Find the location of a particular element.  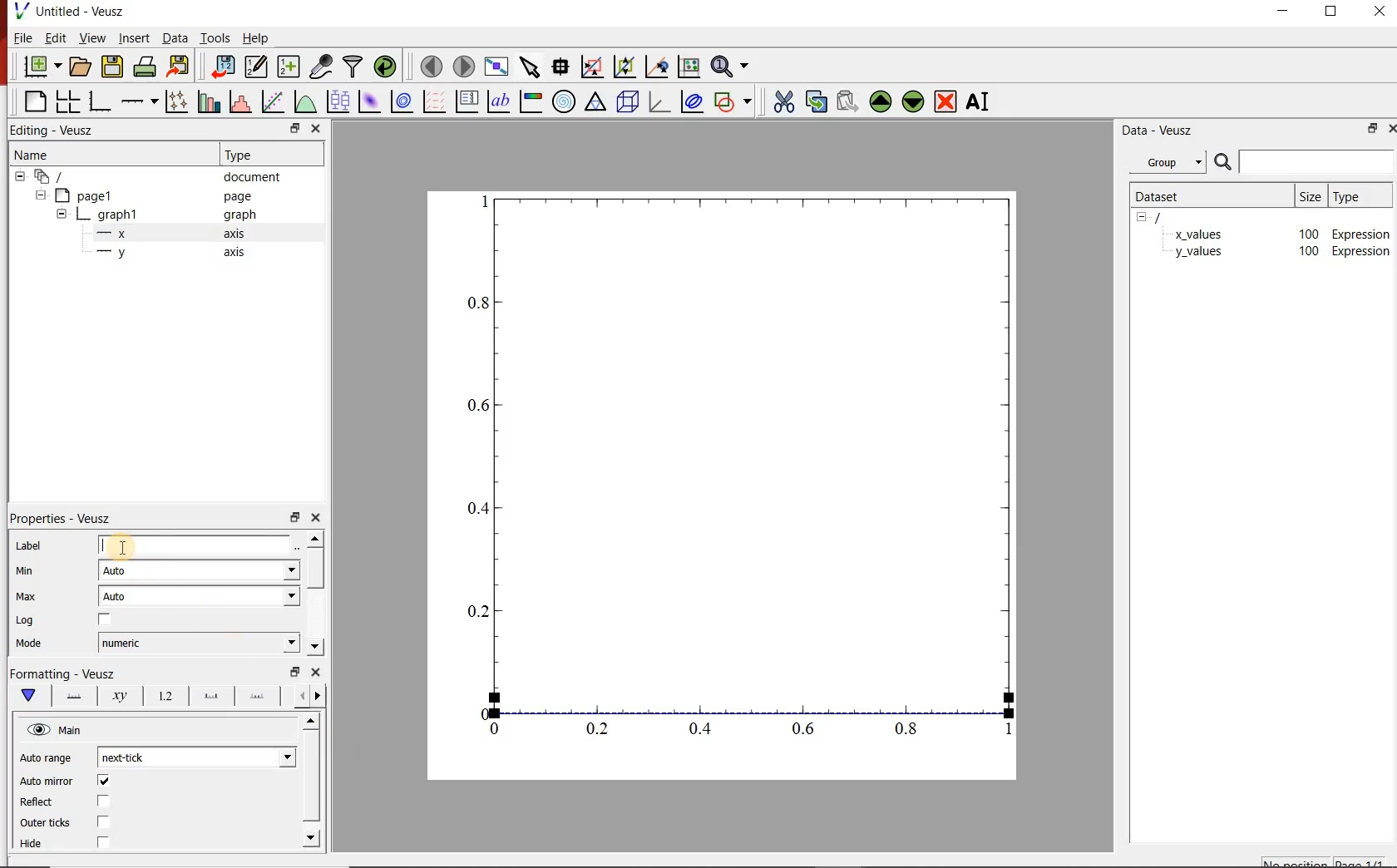

Reflect is located at coordinates (46, 803).